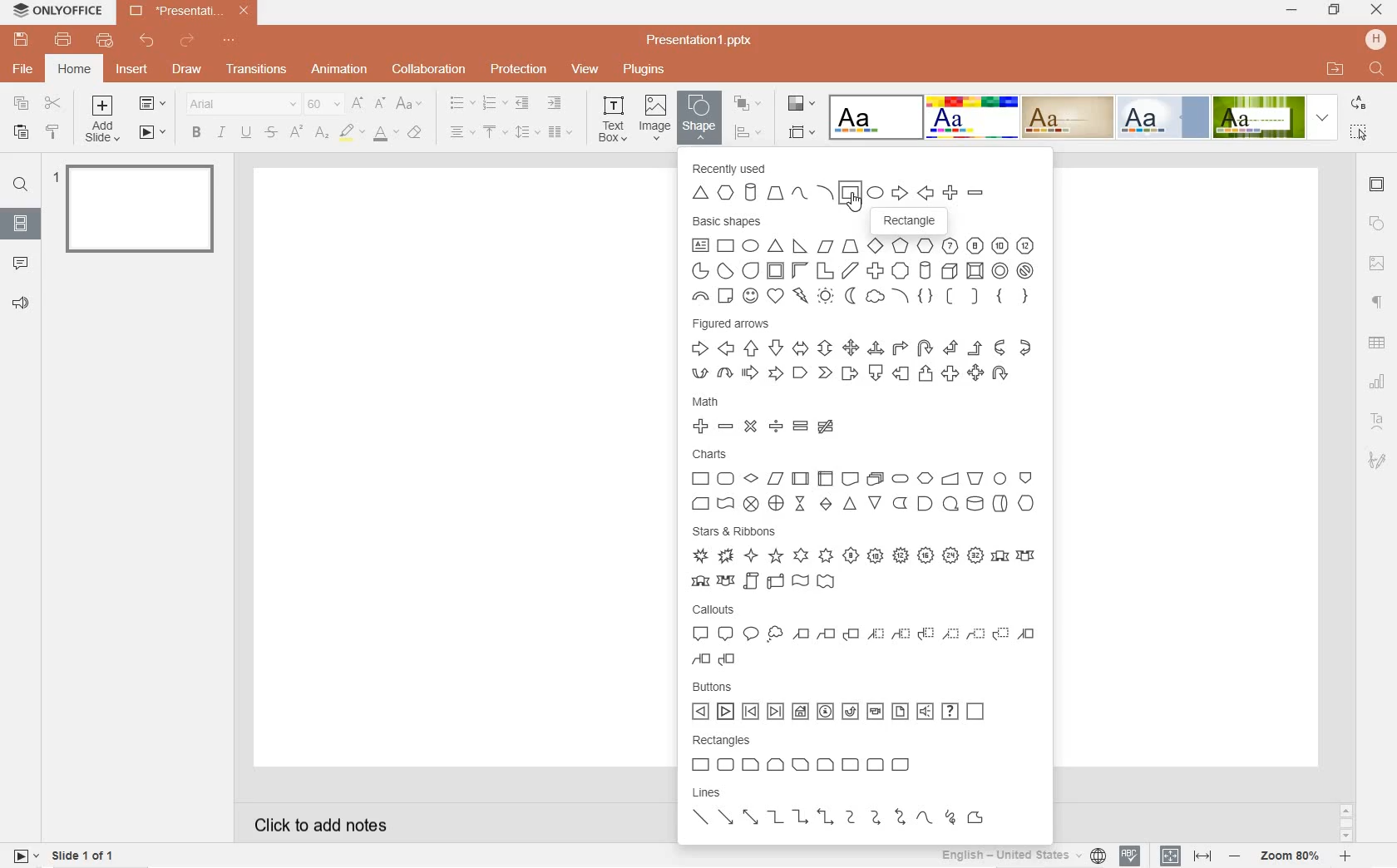 Image resolution: width=1397 pixels, height=868 pixels. Describe the element at coordinates (902, 635) in the screenshot. I see `Line Callout 2 (Accent Bar)` at that location.